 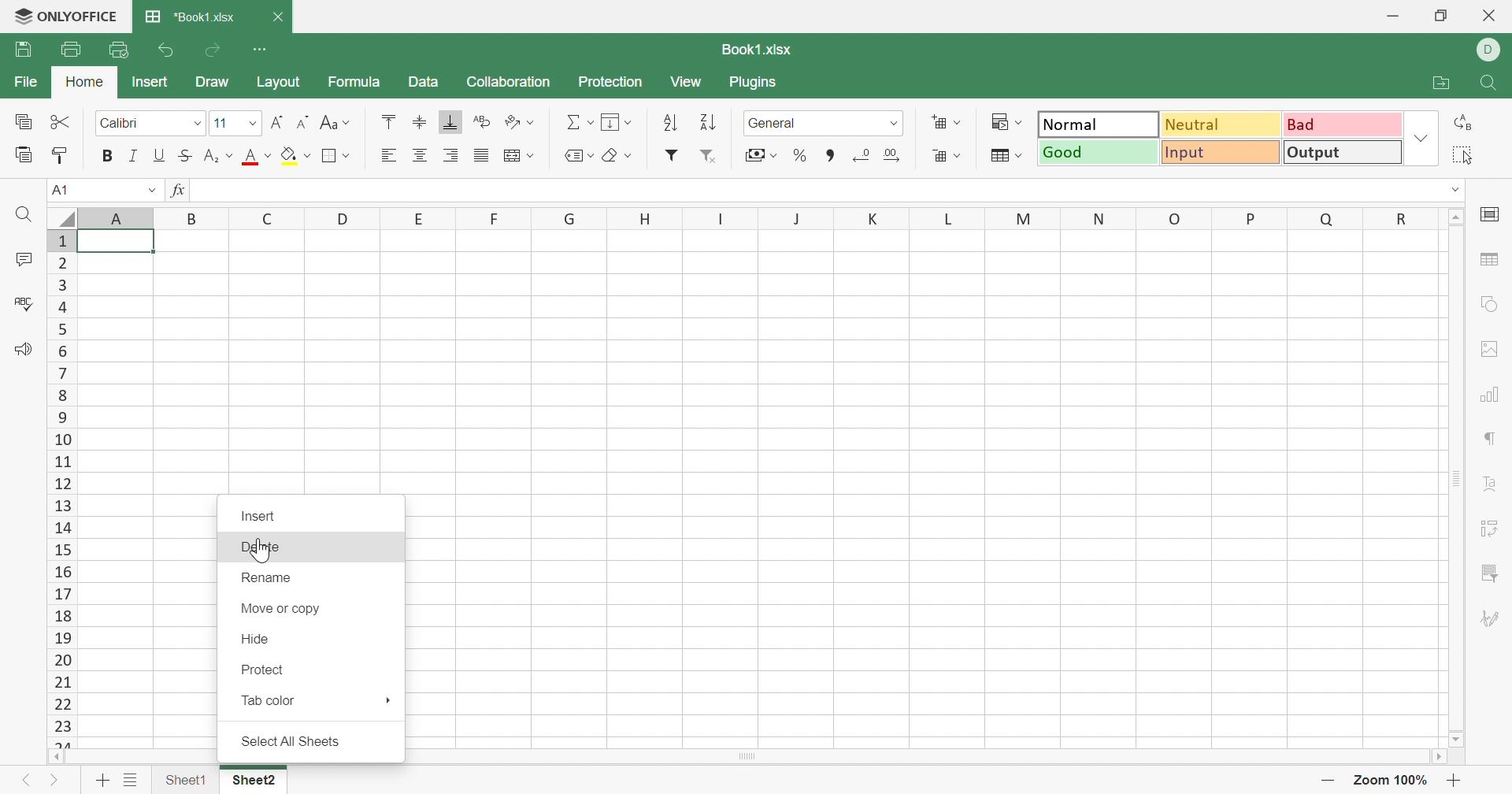 What do you see at coordinates (481, 121) in the screenshot?
I see `Wrap Text` at bounding box center [481, 121].